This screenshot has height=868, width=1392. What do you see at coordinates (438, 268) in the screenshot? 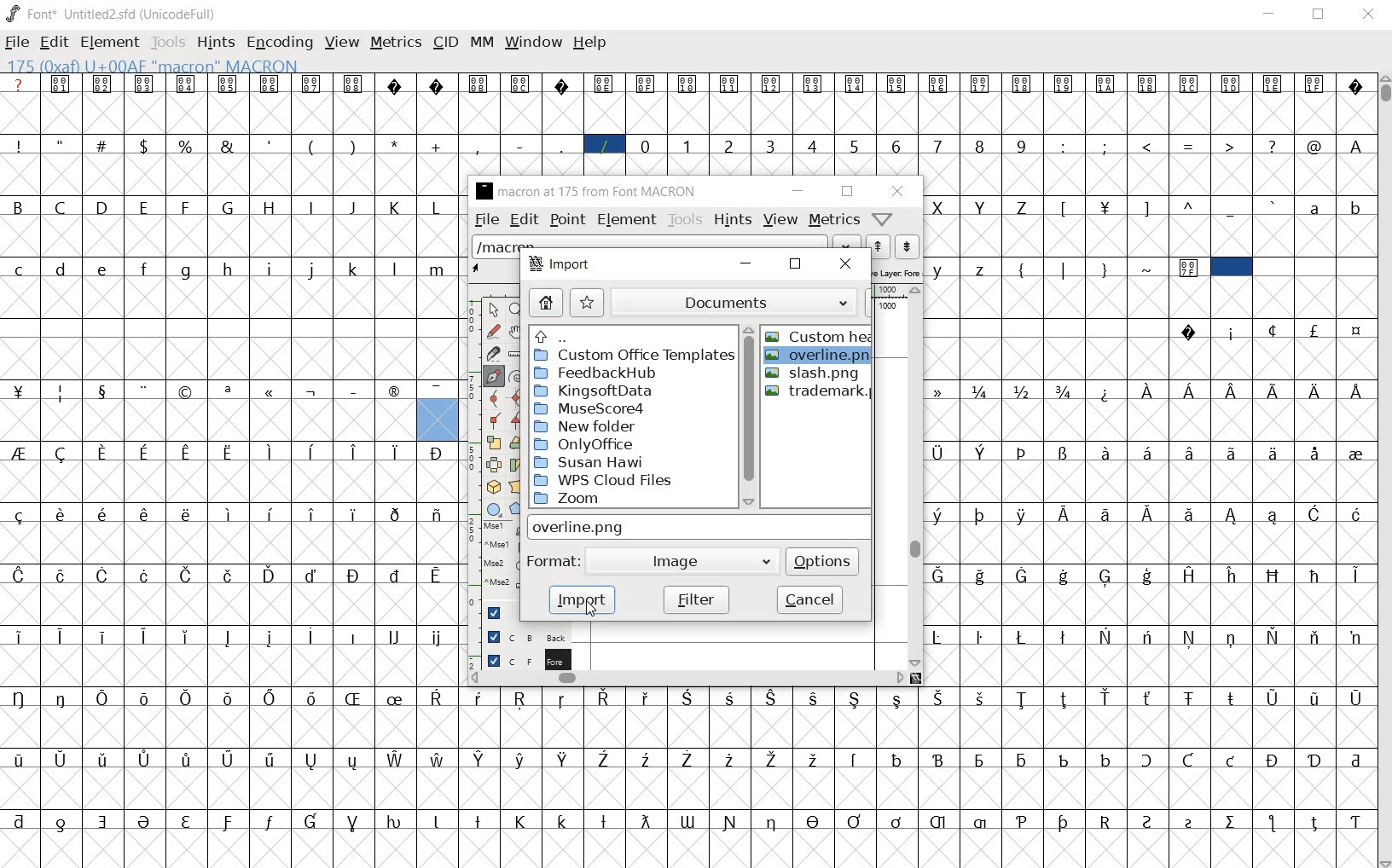
I see `m` at bounding box center [438, 268].